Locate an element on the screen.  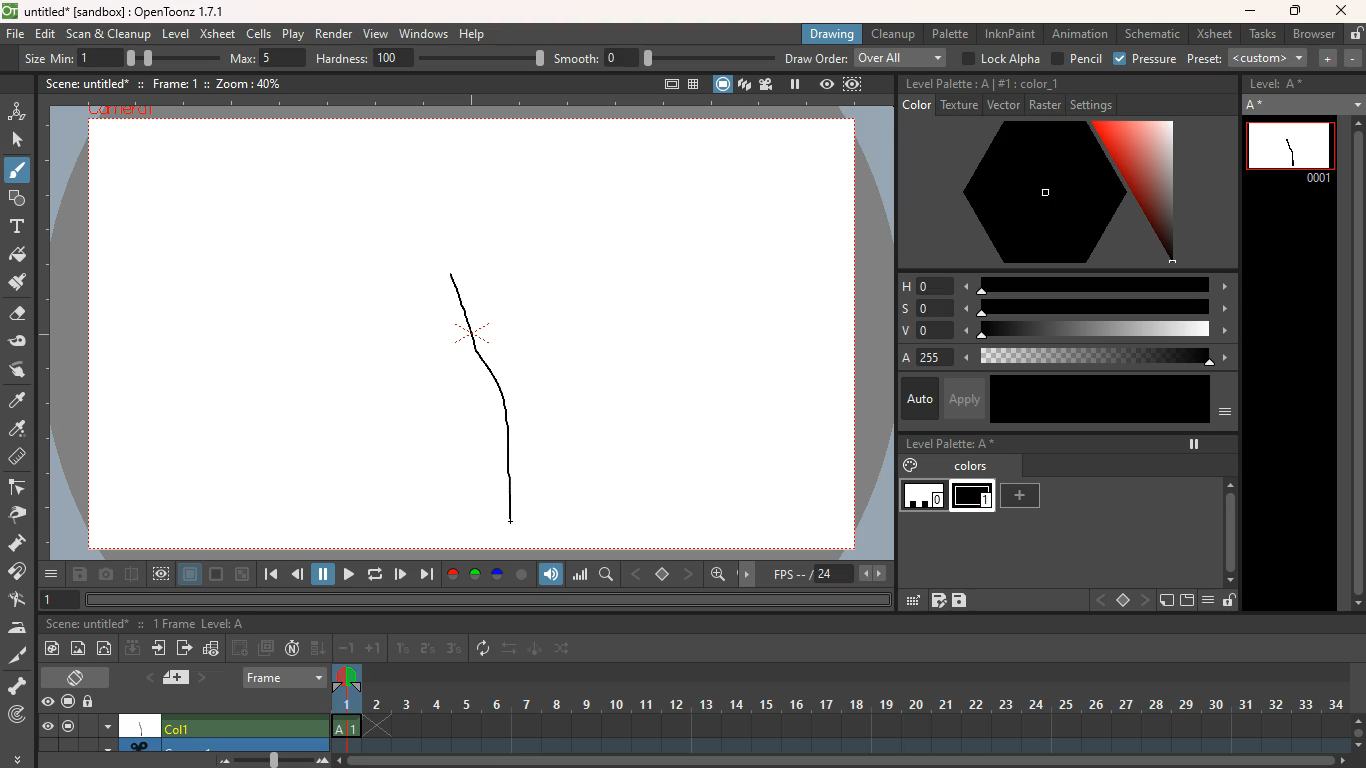
more is located at coordinates (16, 758).